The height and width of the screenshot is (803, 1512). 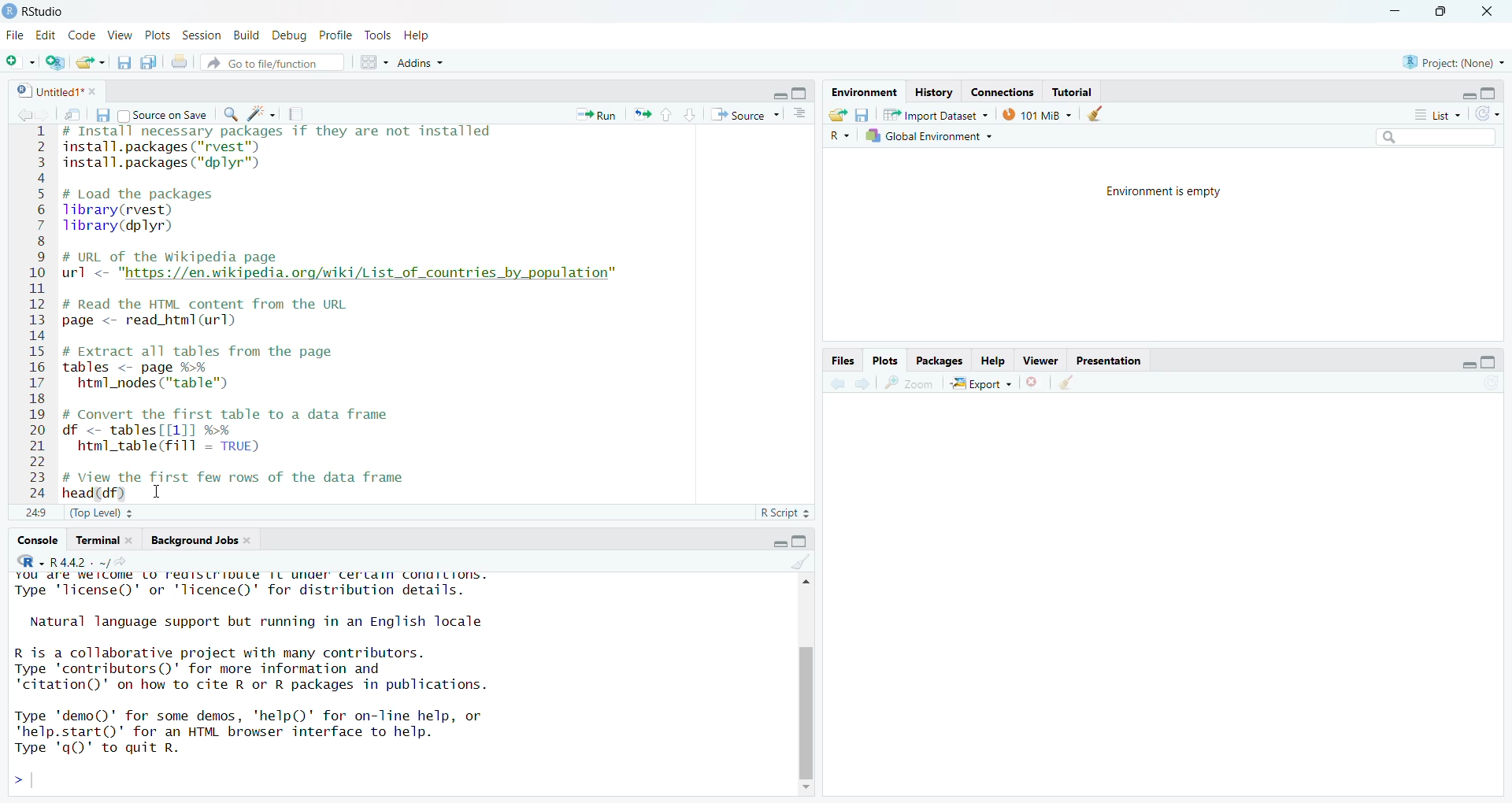 I want to click on print, so click(x=179, y=61).